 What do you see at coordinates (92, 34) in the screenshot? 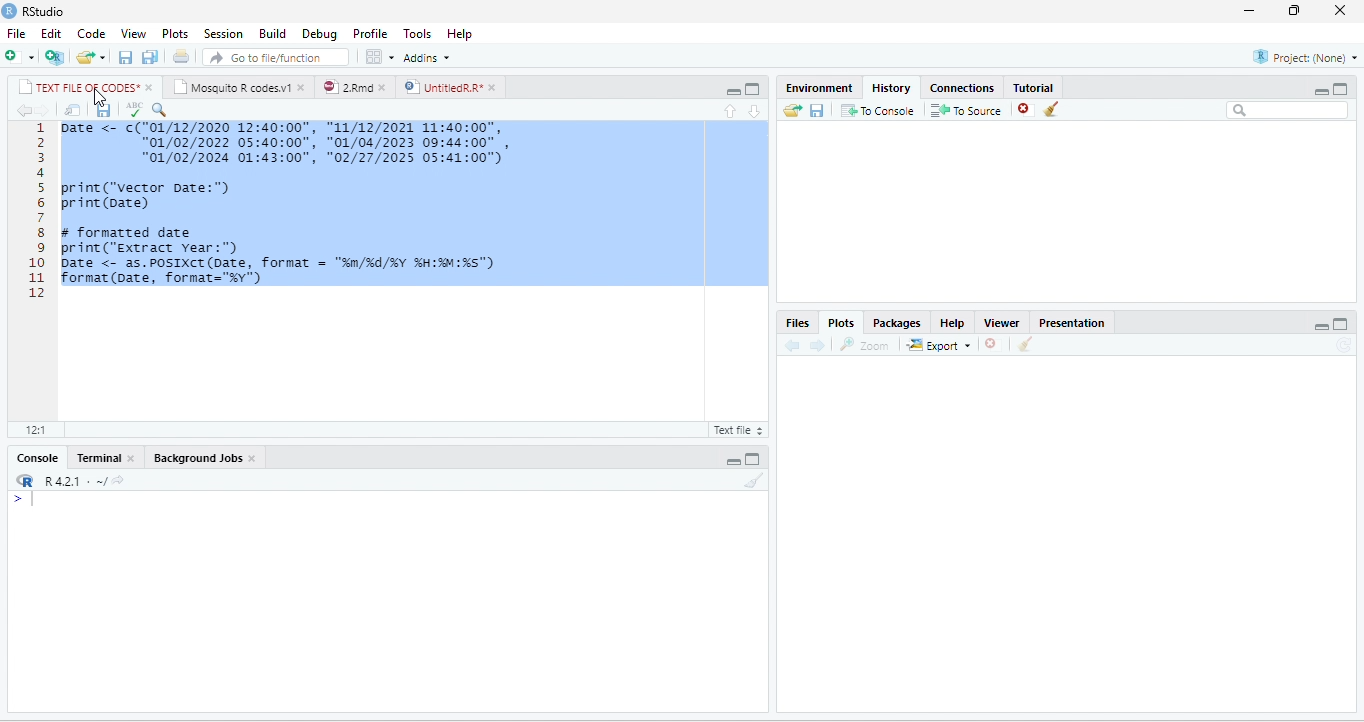
I see `Code` at bounding box center [92, 34].